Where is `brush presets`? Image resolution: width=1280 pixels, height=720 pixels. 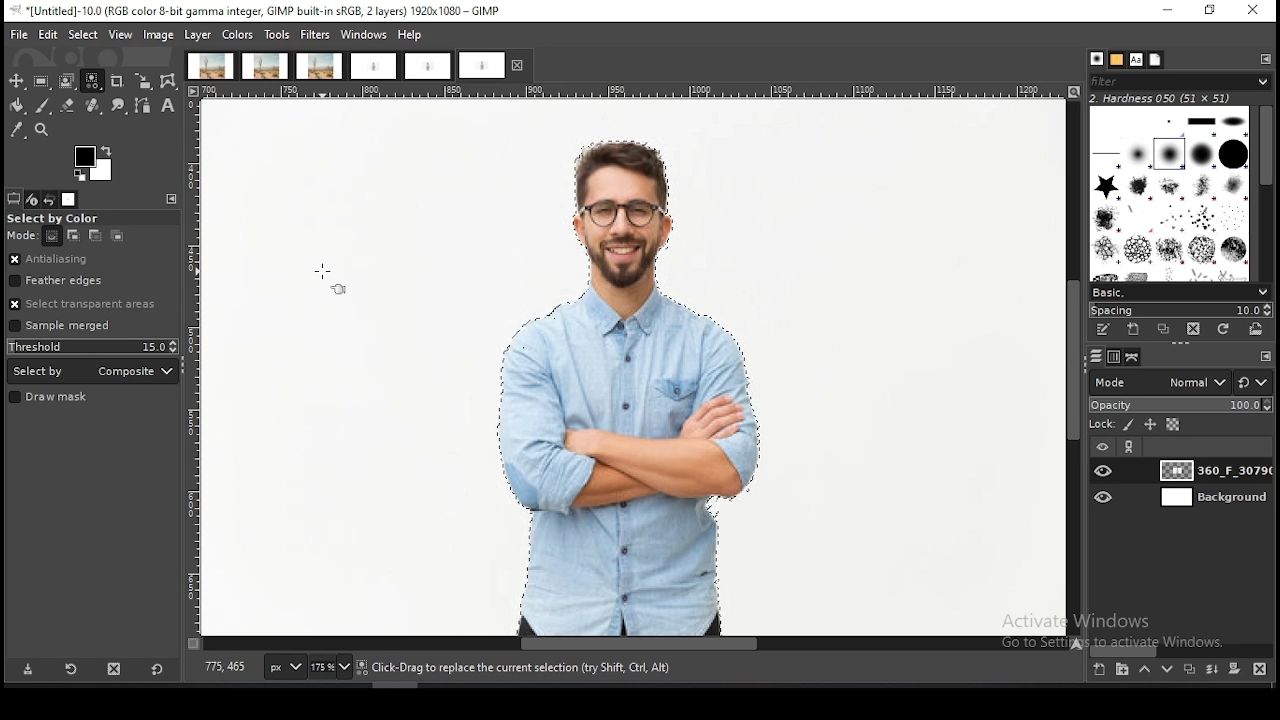 brush presets is located at coordinates (1179, 293).